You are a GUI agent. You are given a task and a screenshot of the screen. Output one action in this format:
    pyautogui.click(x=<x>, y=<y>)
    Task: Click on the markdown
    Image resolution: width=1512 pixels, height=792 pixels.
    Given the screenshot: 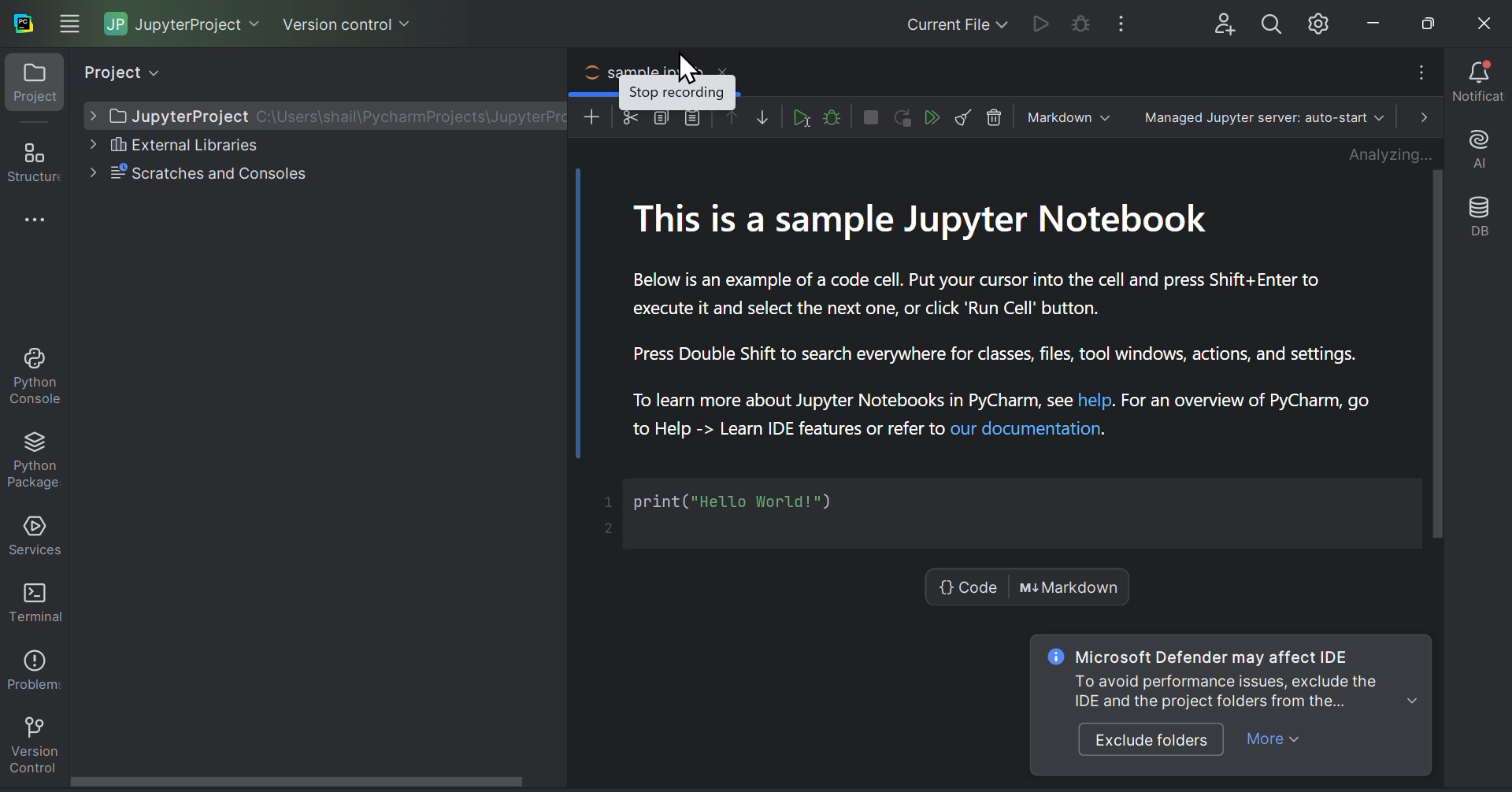 What is the action you would take?
    pyautogui.click(x=1067, y=116)
    